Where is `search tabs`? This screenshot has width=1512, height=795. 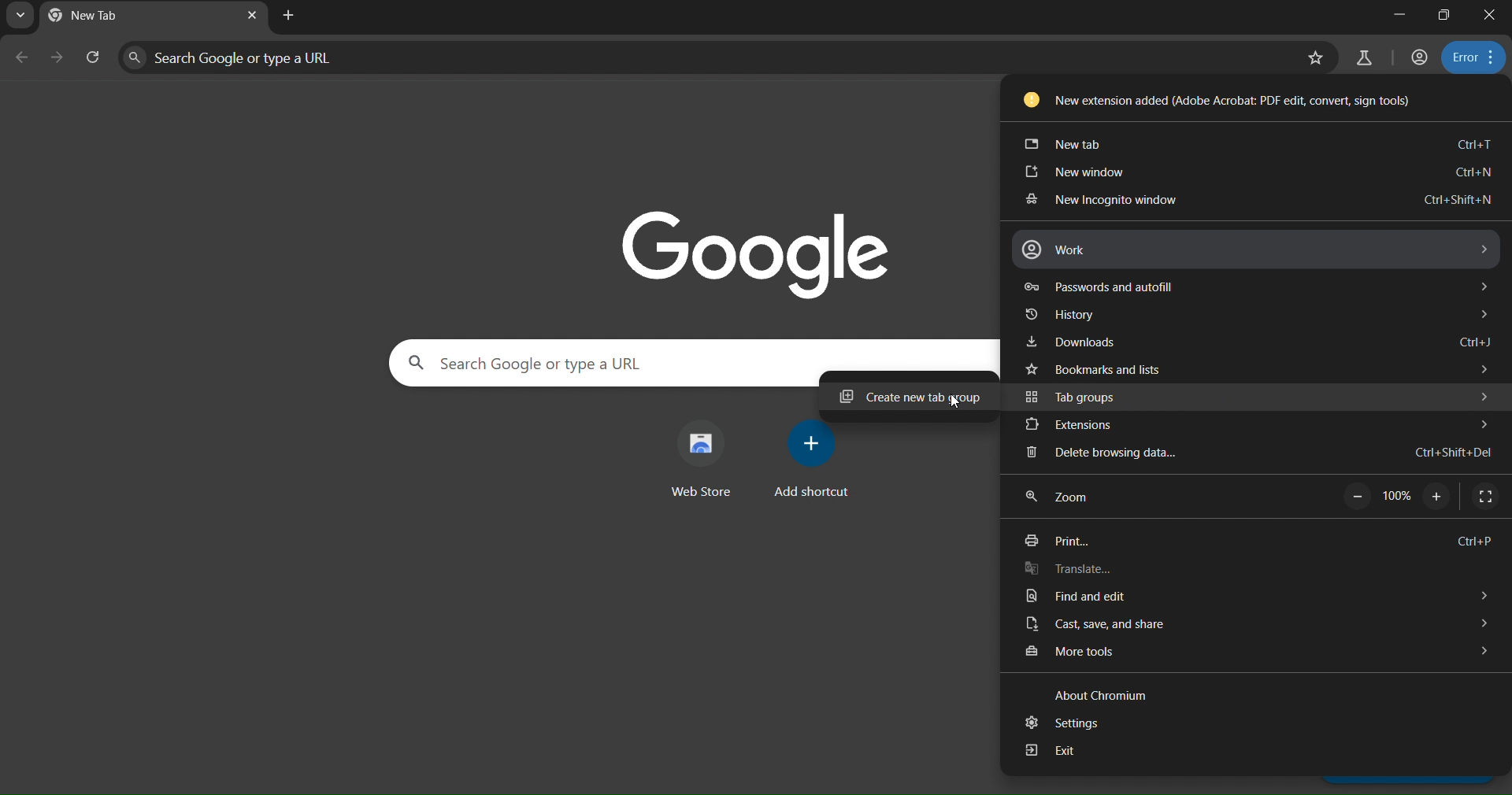 search tabs is located at coordinates (24, 17).